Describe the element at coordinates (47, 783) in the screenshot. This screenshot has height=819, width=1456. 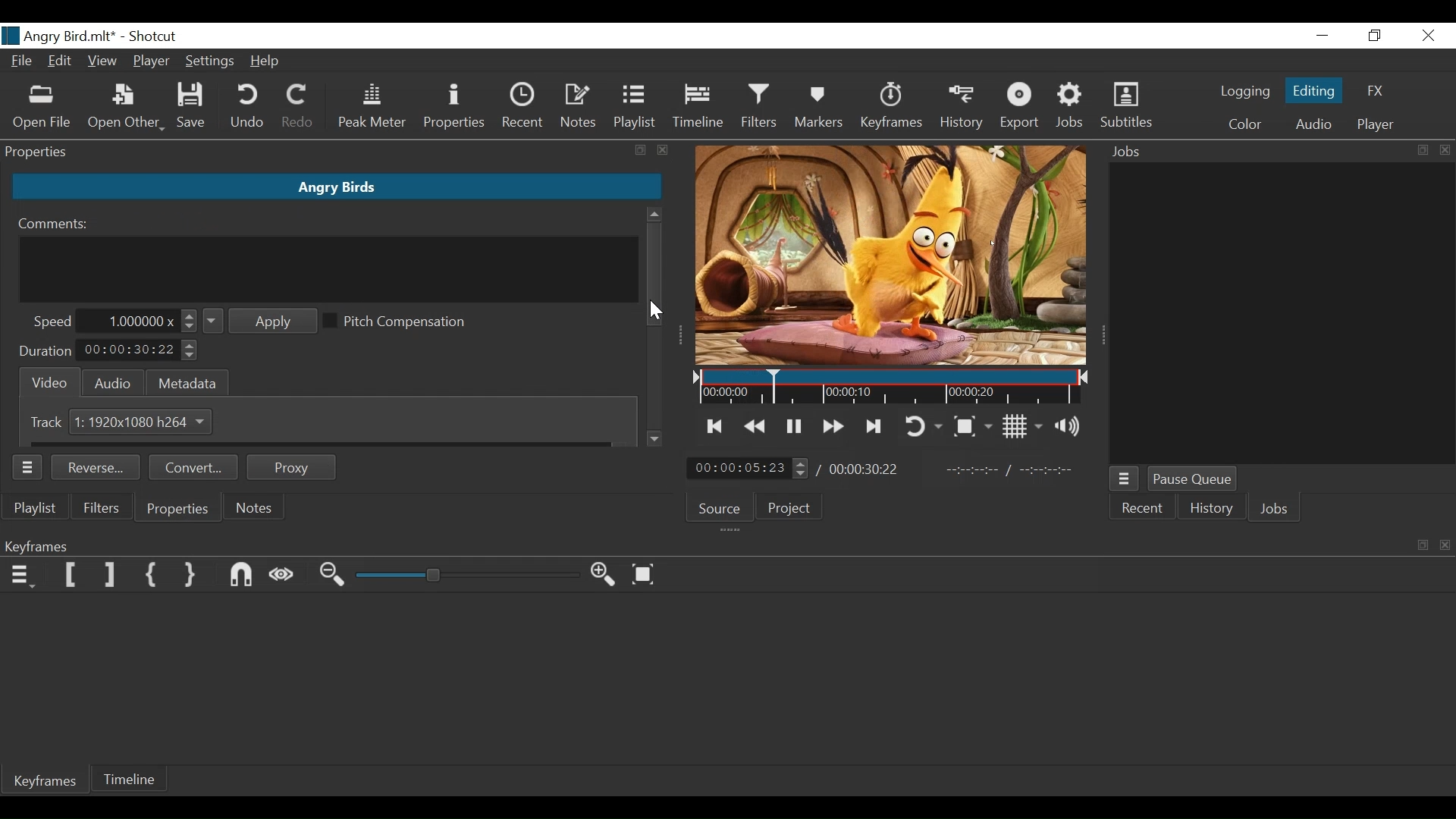
I see `Keyframes` at that location.